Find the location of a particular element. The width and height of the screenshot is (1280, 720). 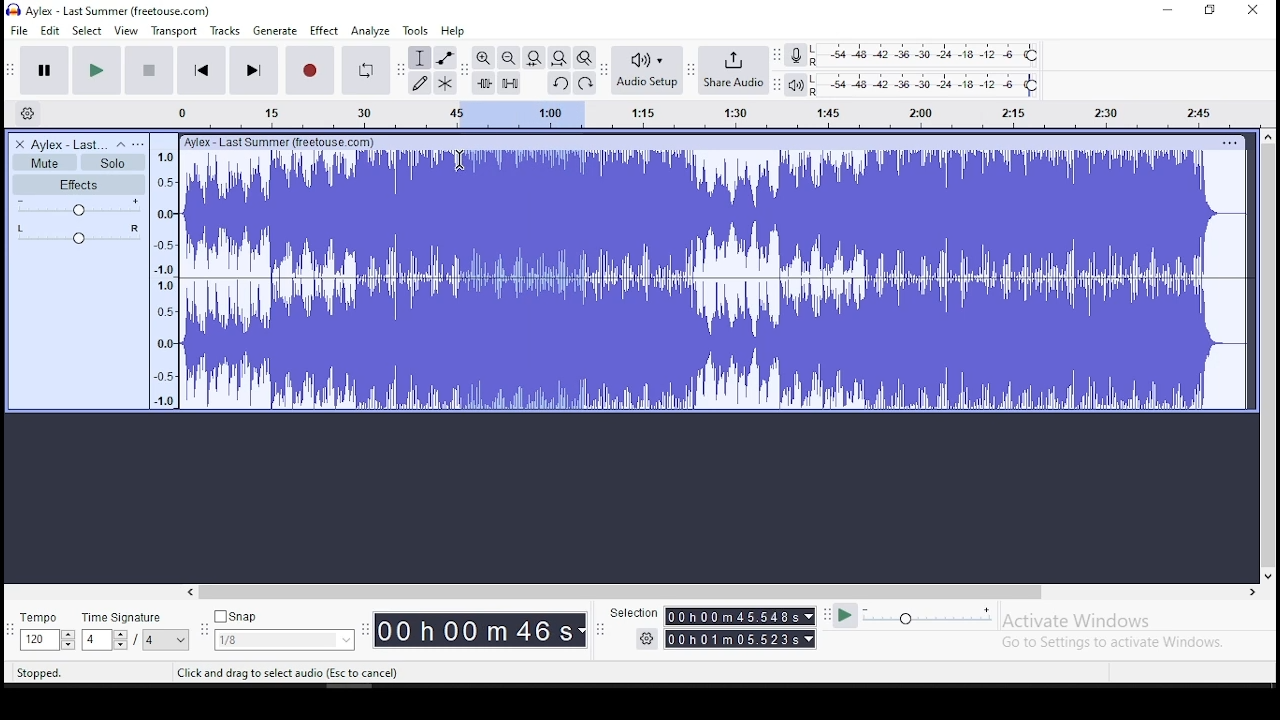

| Stopped. is located at coordinates (31, 672).